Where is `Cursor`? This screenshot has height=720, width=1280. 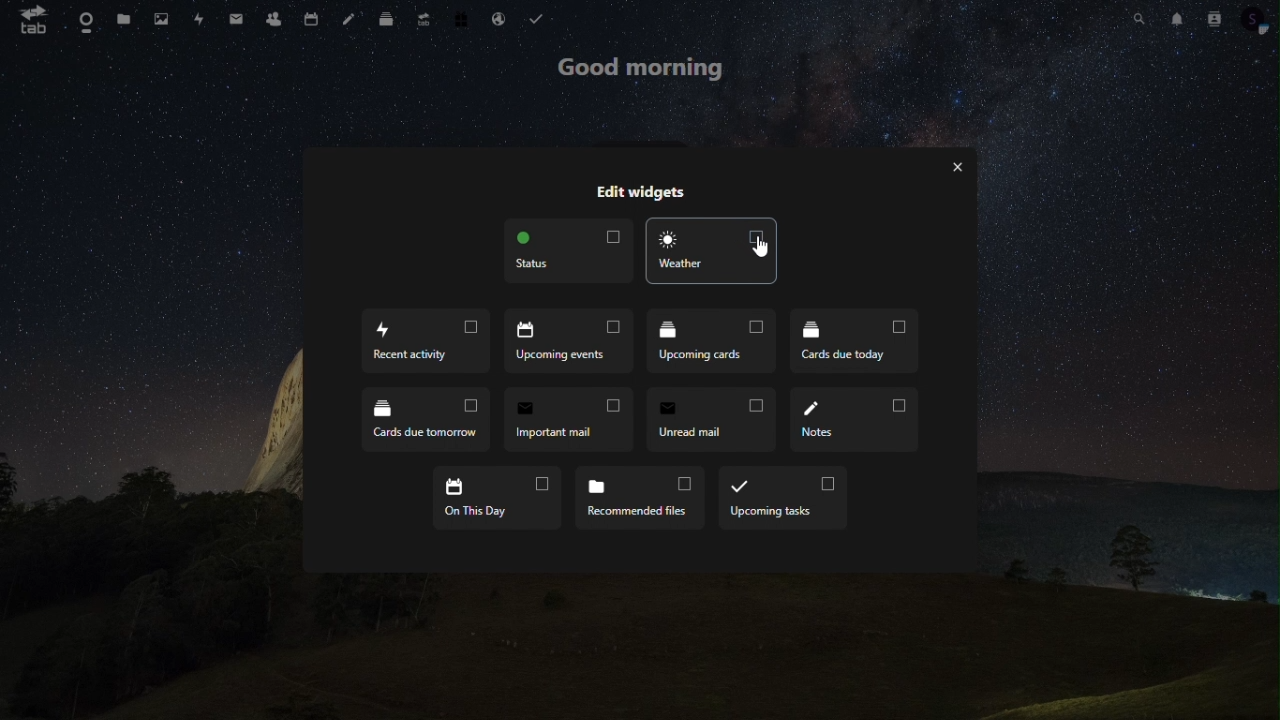 Cursor is located at coordinates (763, 248).